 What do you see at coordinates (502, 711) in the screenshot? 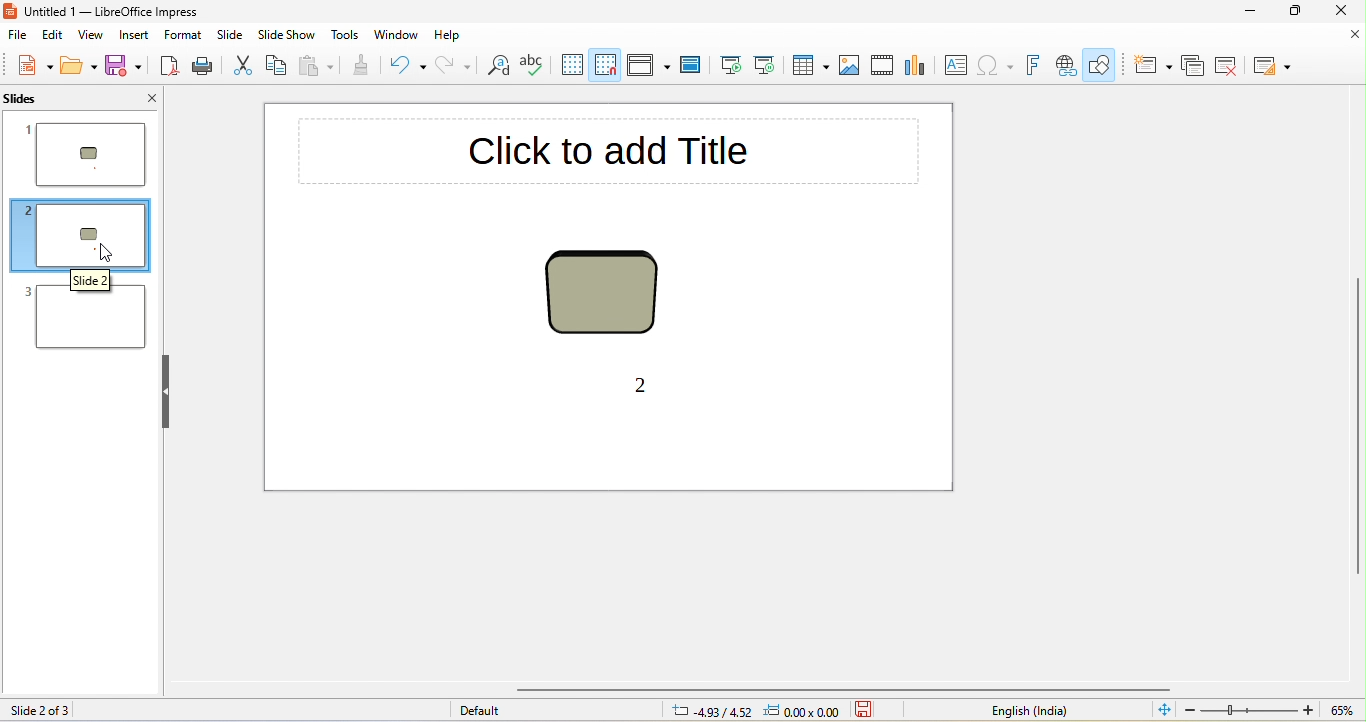
I see `default` at bounding box center [502, 711].